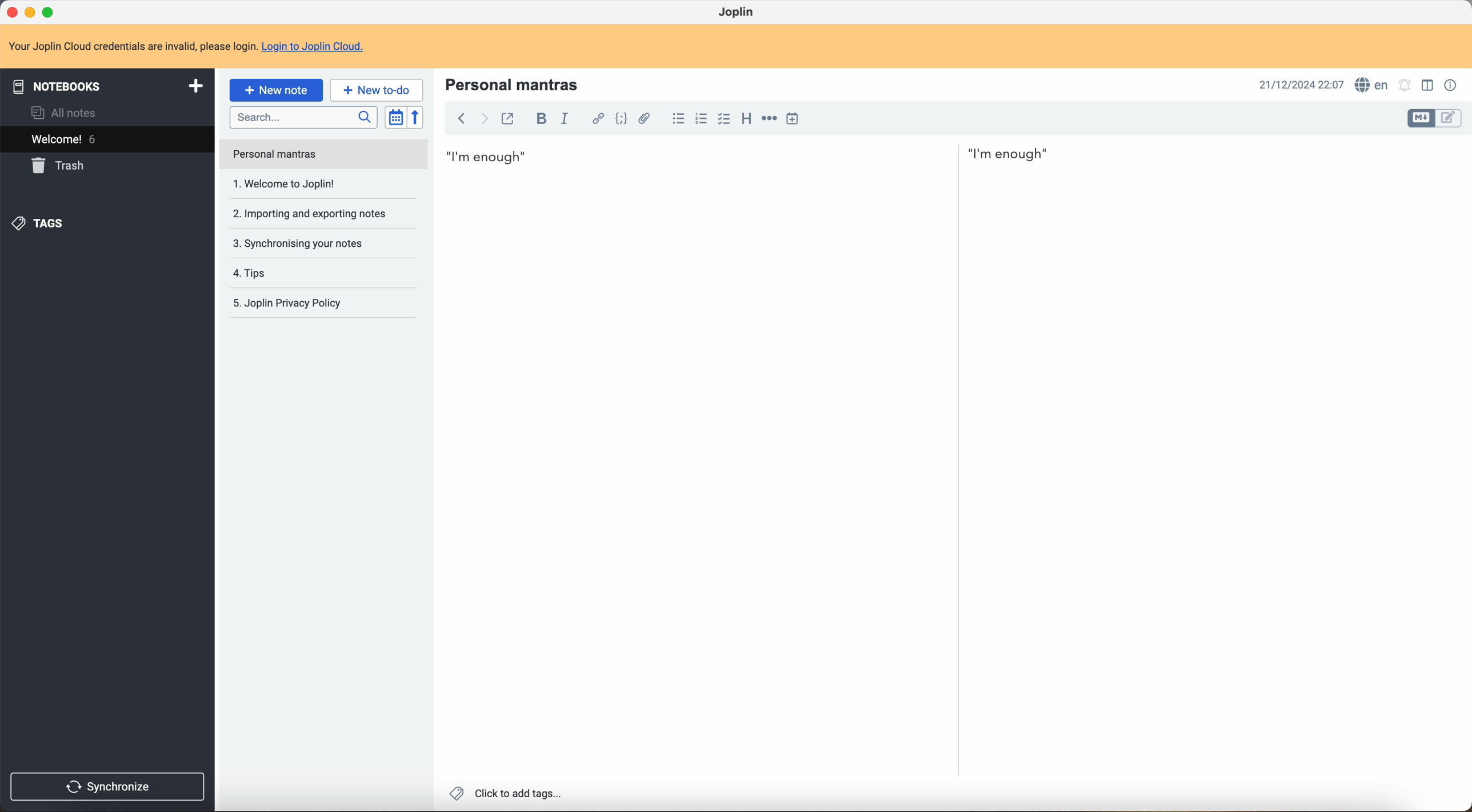 This screenshot has width=1472, height=812. What do you see at coordinates (1449, 119) in the screenshot?
I see `toggle edit layout` at bounding box center [1449, 119].